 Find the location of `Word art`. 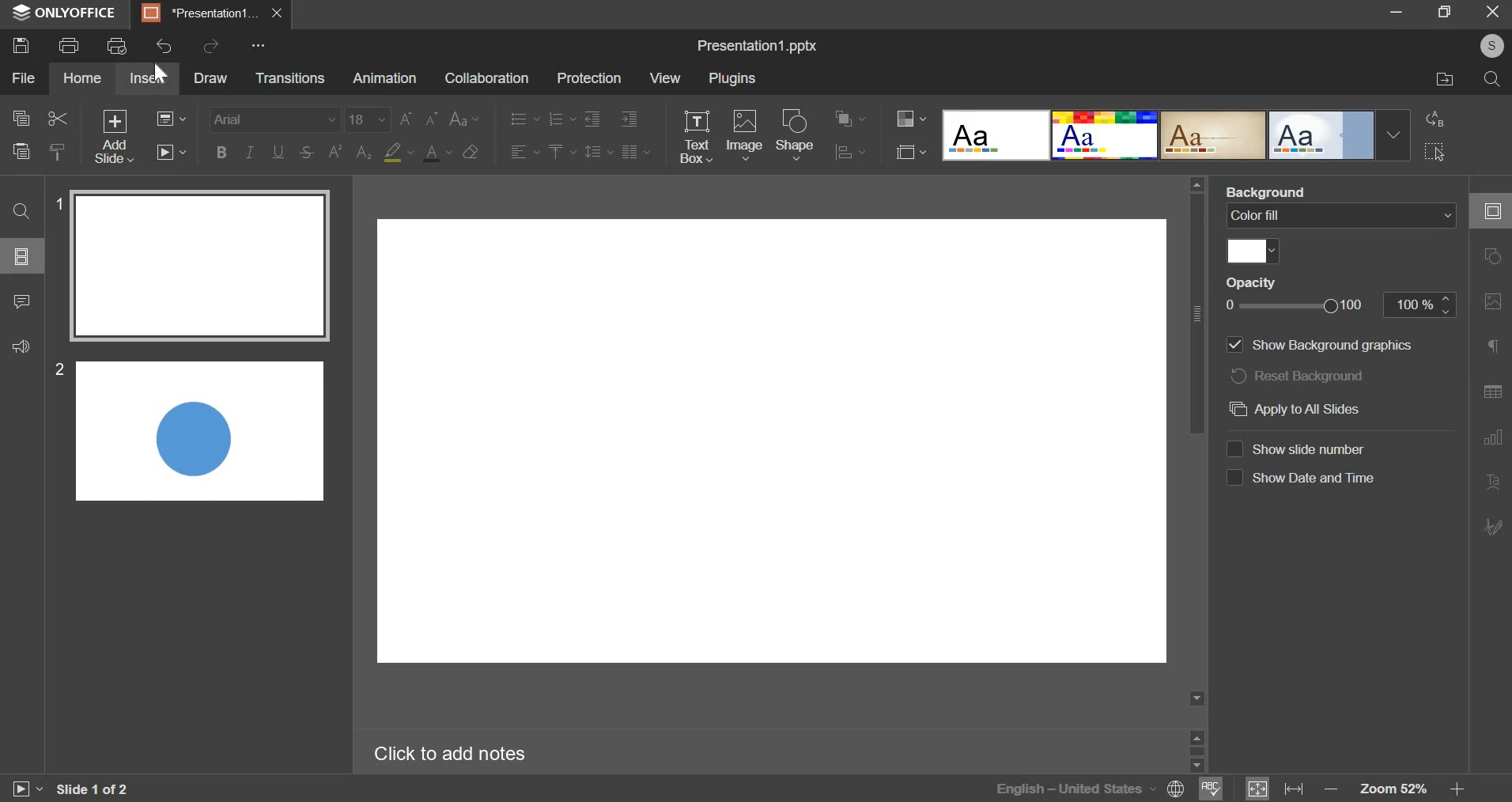

Word art is located at coordinates (1104, 135).